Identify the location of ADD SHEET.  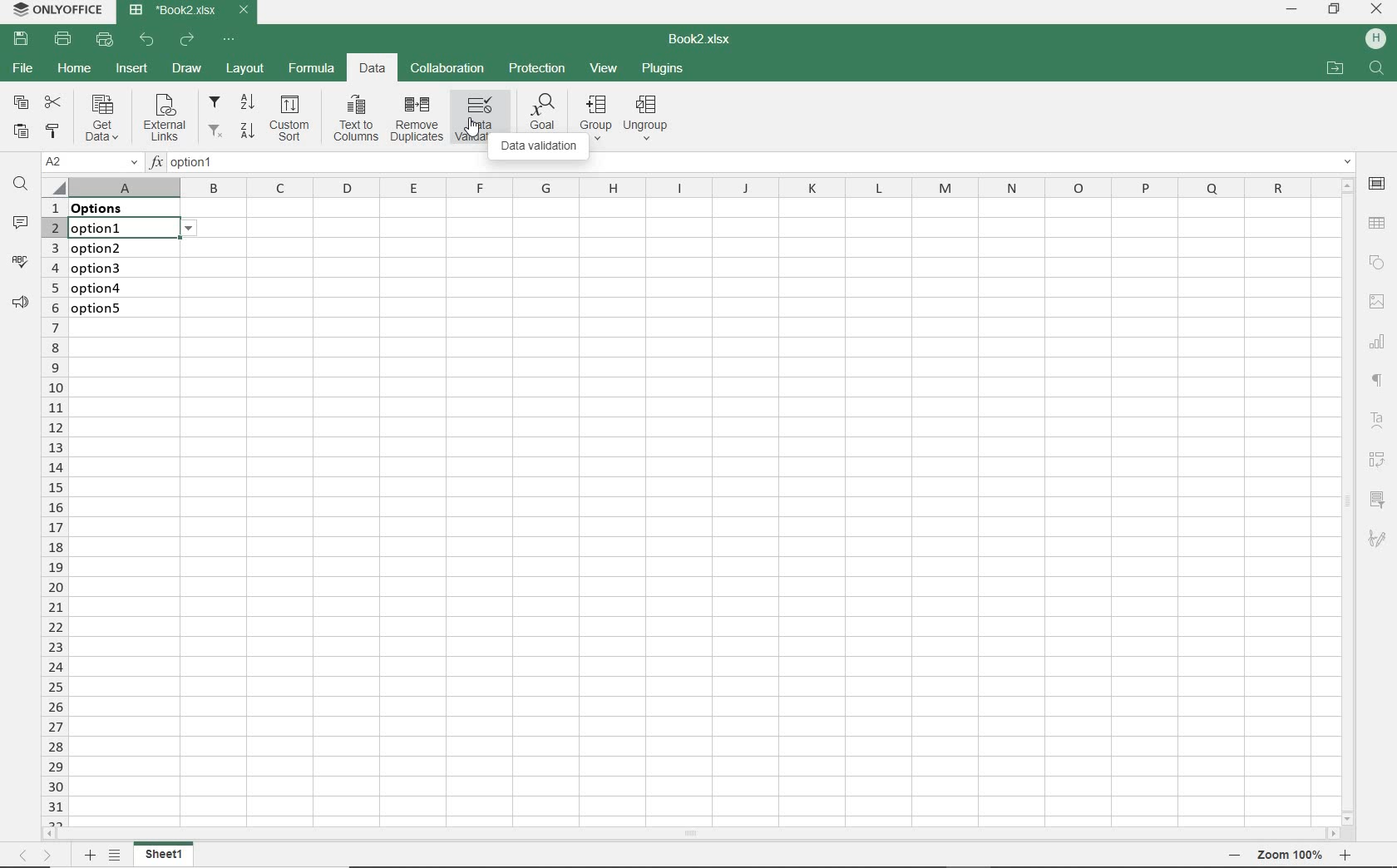
(90, 856).